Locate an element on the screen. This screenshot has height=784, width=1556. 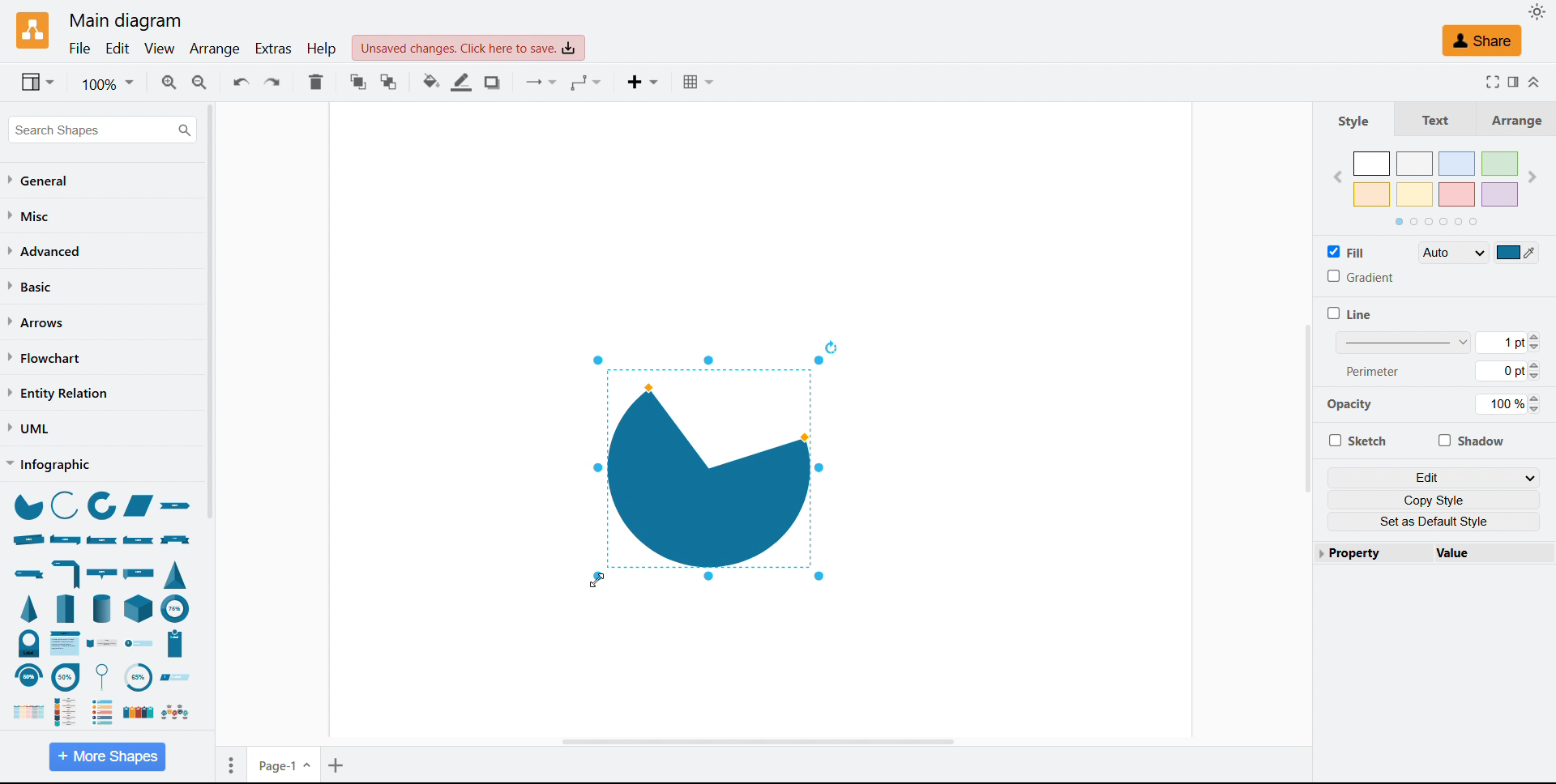
Fill colour  is located at coordinates (432, 82).